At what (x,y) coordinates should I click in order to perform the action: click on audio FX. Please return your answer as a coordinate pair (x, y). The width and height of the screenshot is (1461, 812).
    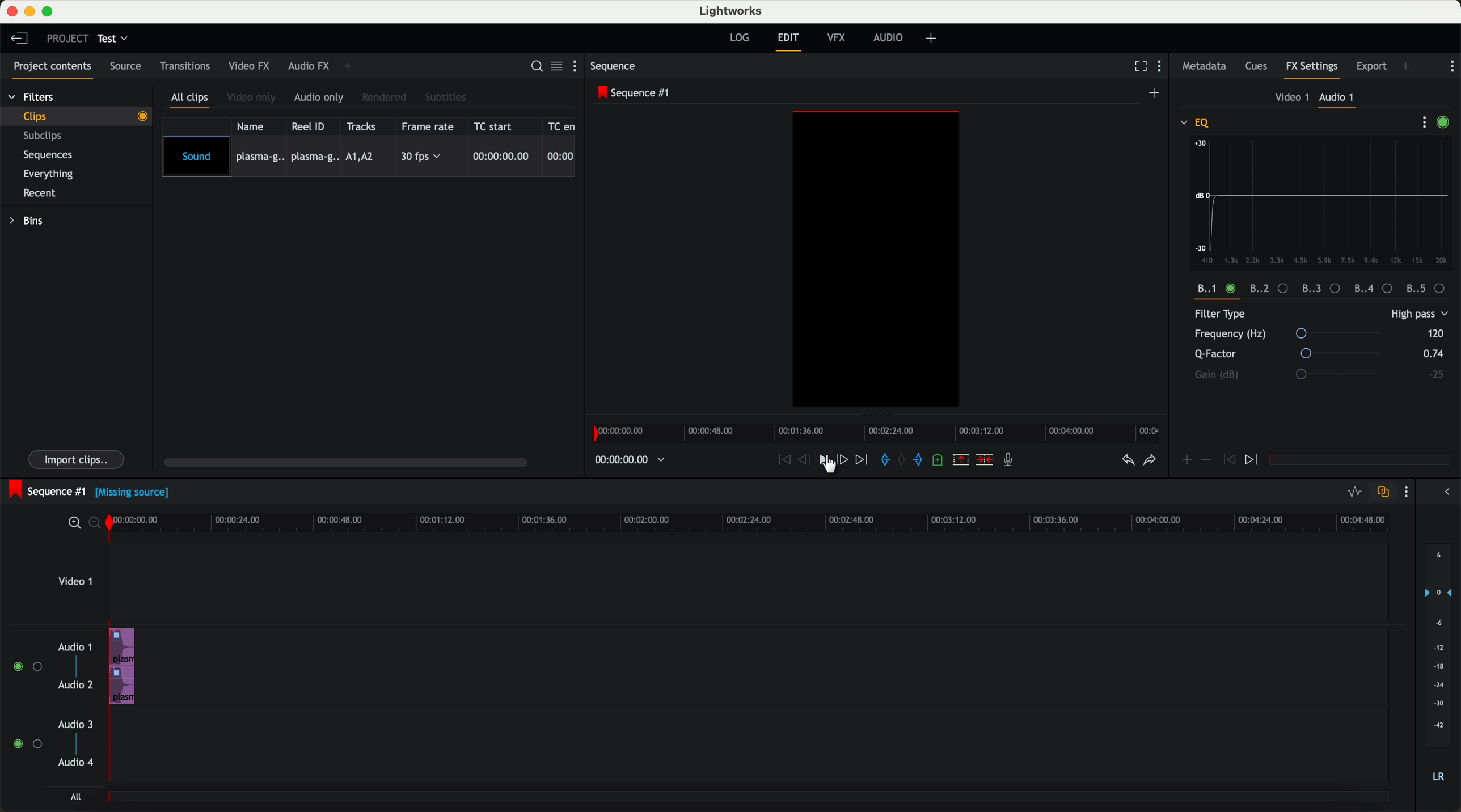
    Looking at the image, I should click on (308, 66).